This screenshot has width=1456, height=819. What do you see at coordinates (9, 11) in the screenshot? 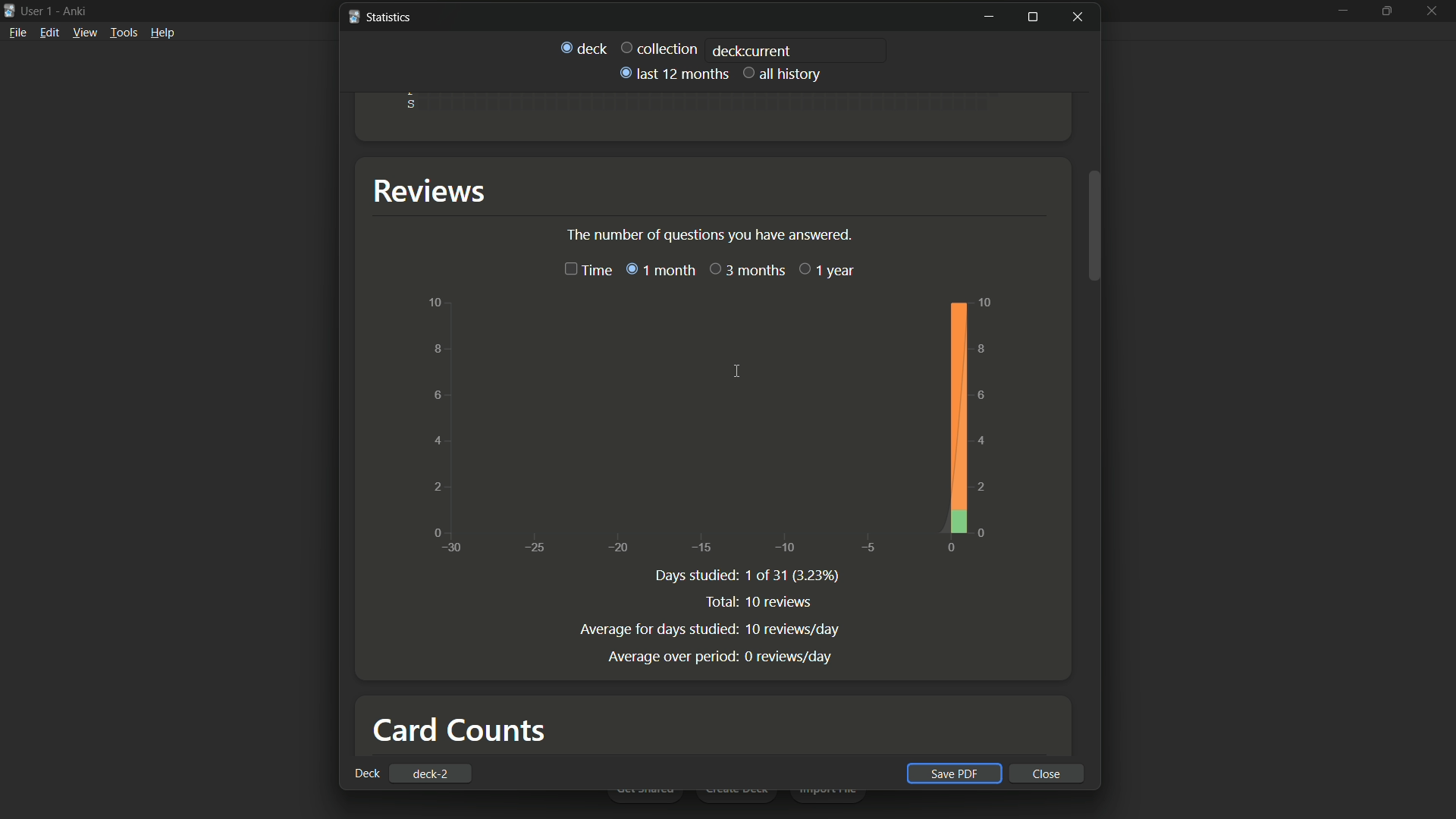
I see `Logo` at bounding box center [9, 11].